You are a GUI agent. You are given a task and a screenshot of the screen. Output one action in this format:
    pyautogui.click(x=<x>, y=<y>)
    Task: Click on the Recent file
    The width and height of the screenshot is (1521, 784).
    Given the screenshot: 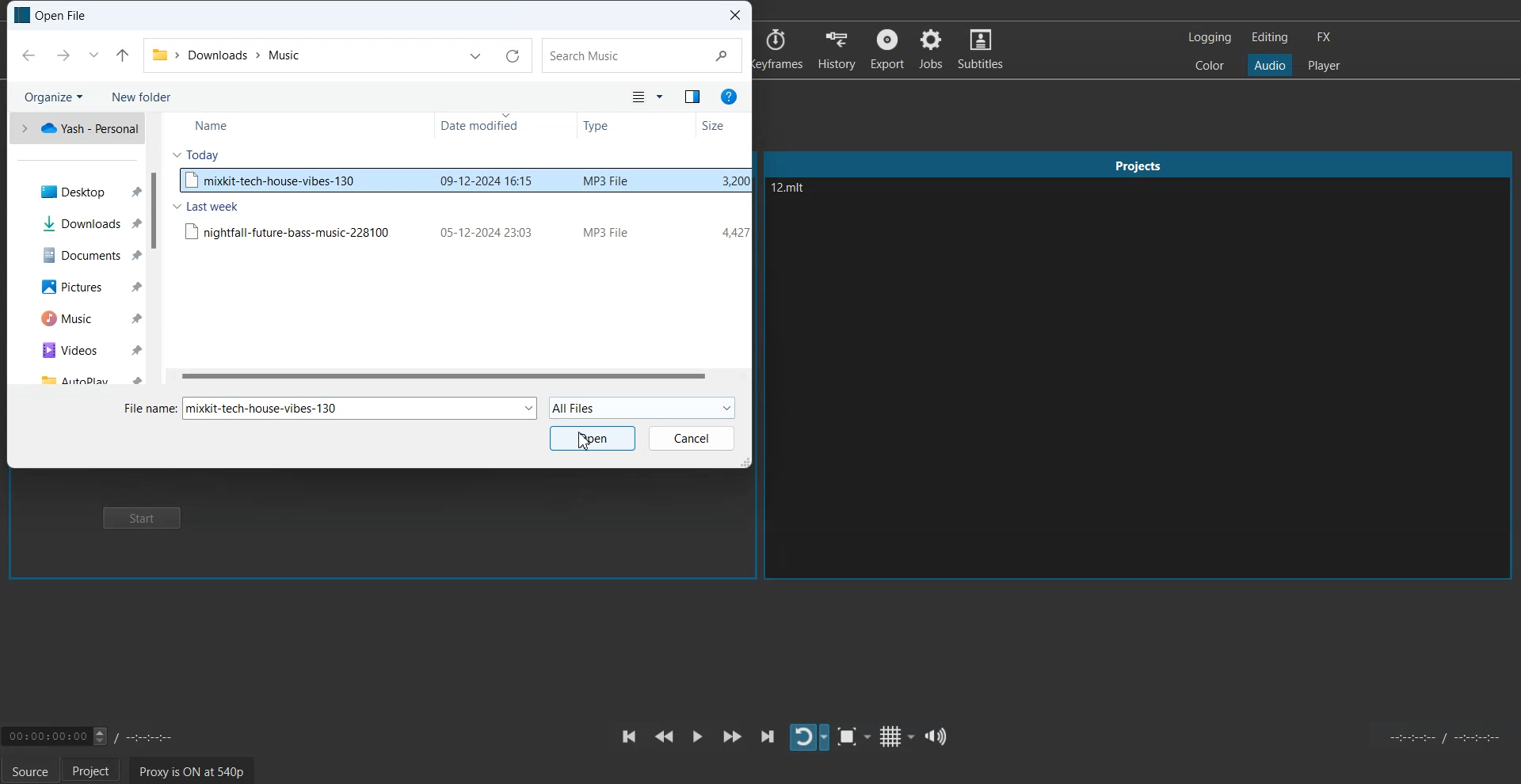 What is the action you would take?
    pyautogui.click(x=93, y=55)
    